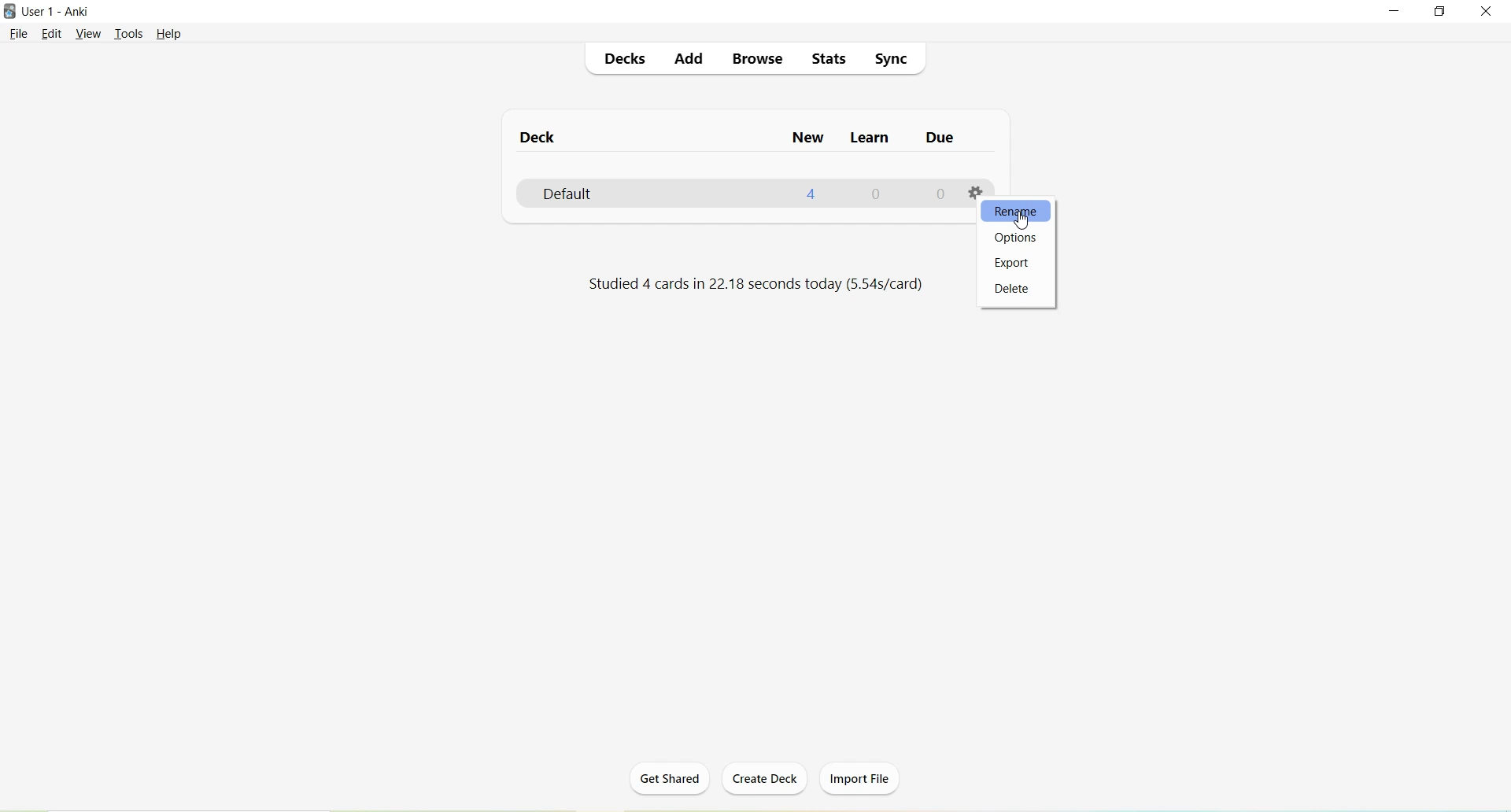 This screenshot has height=812, width=1511. What do you see at coordinates (87, 34) in the screenshot?
I see `View` at bounding box center [87, 34].